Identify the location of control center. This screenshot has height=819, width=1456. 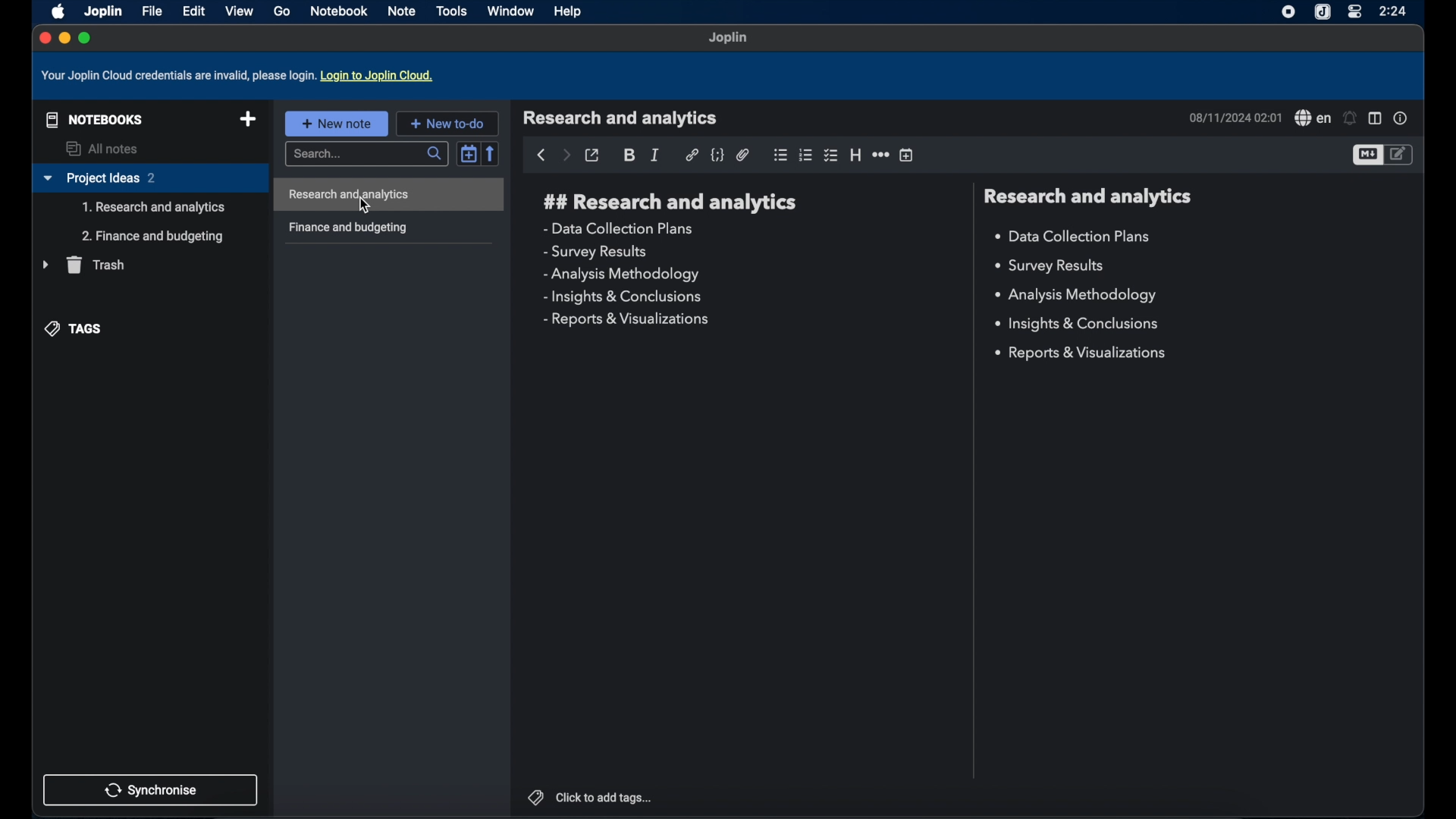
(1354, 12).